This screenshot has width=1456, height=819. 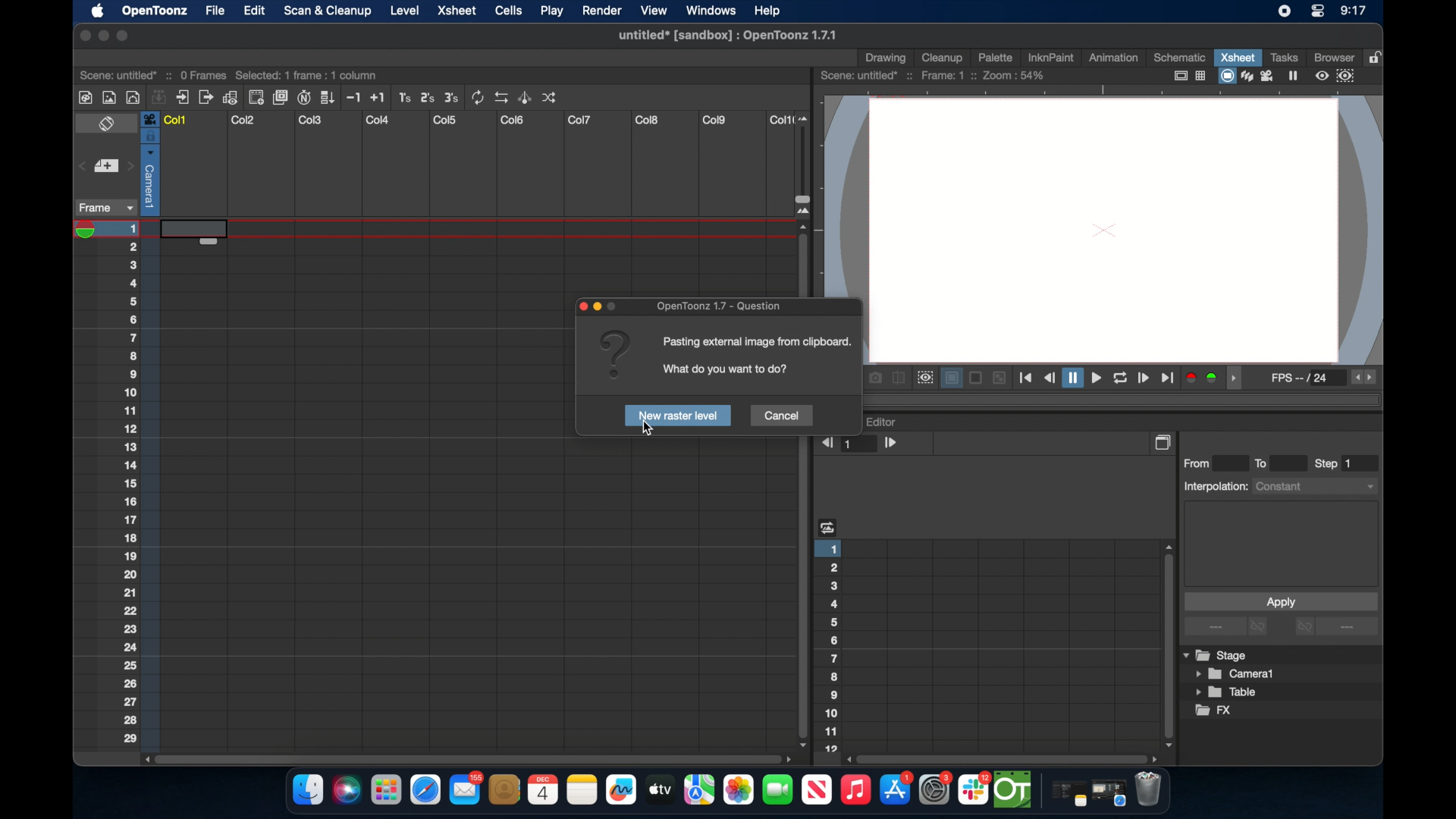 I want to click on preview, so click(x=1337, y=76).